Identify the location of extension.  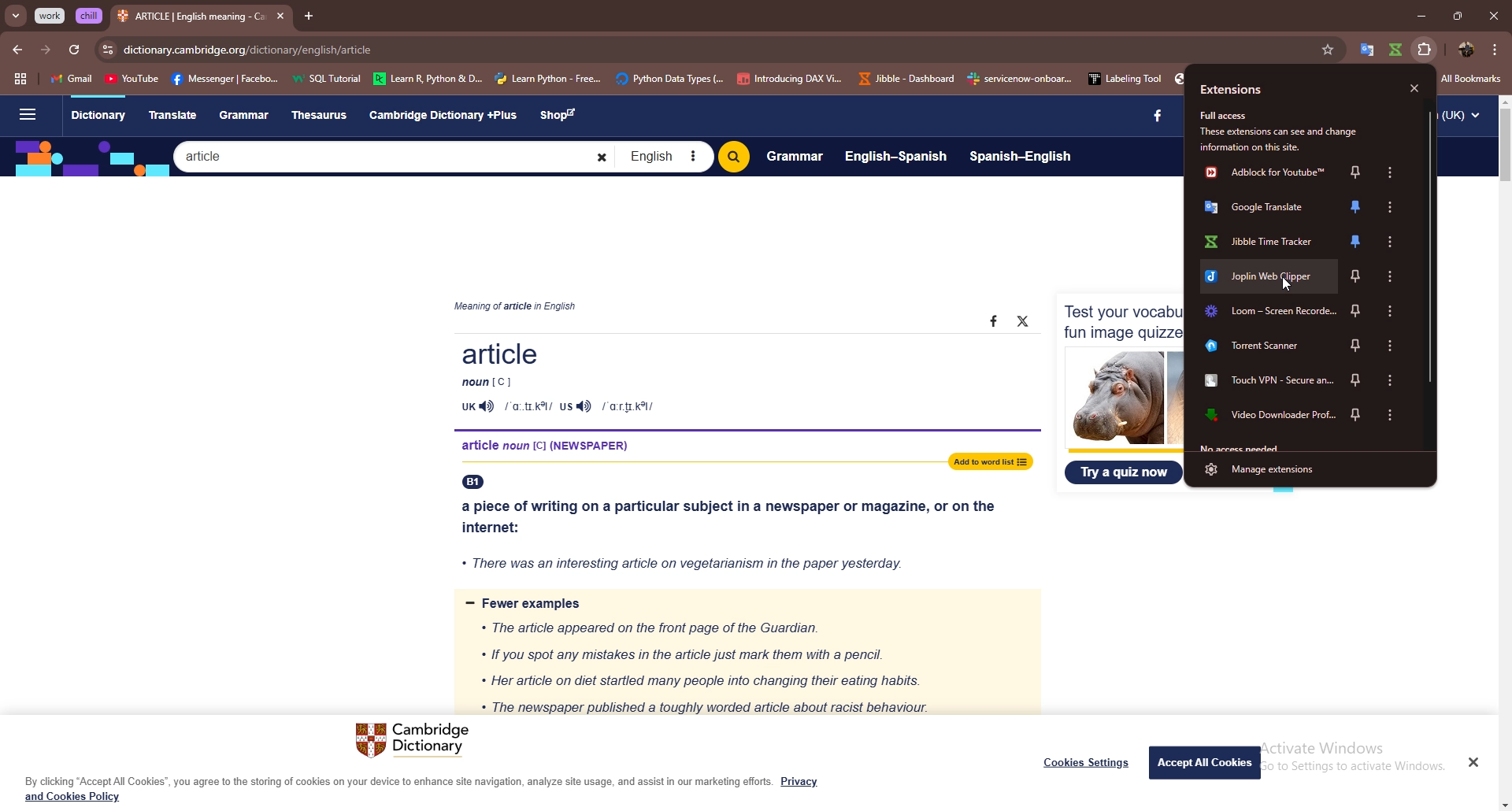
(1364, 50).